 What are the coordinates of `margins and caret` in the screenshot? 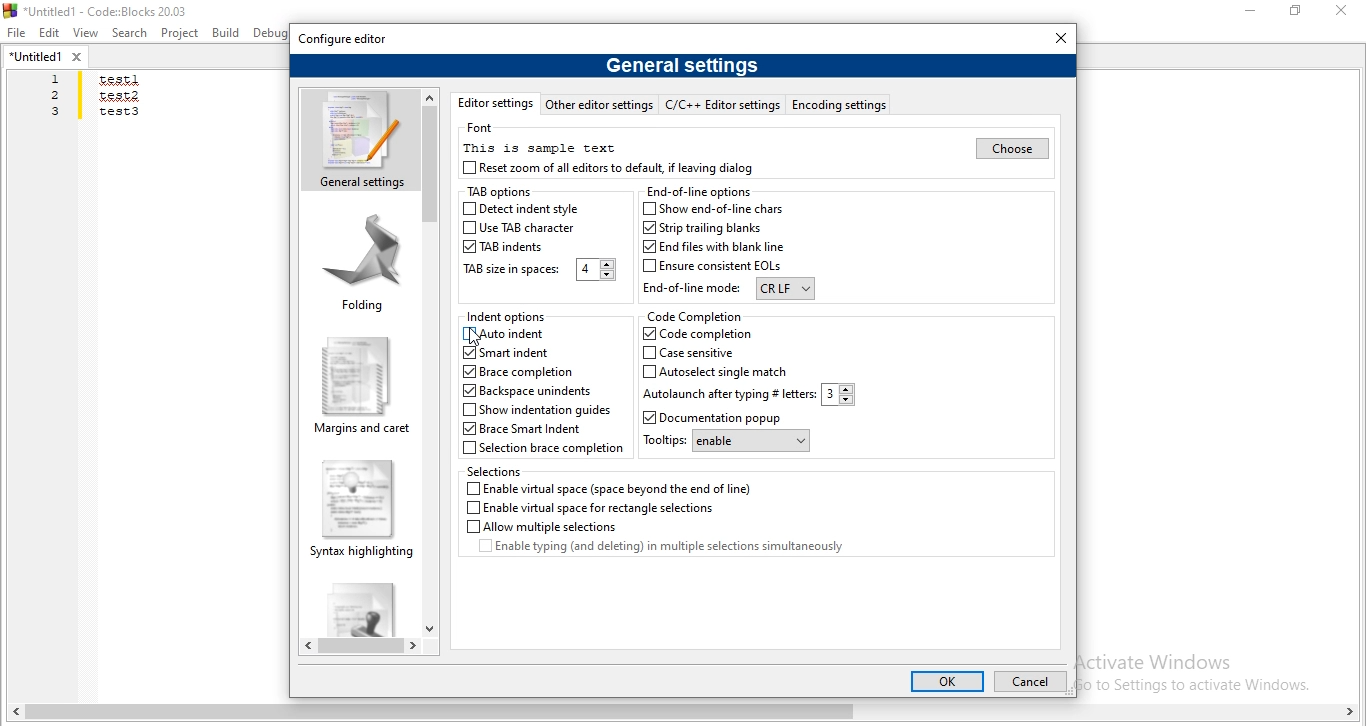 It's located at (362, 386).